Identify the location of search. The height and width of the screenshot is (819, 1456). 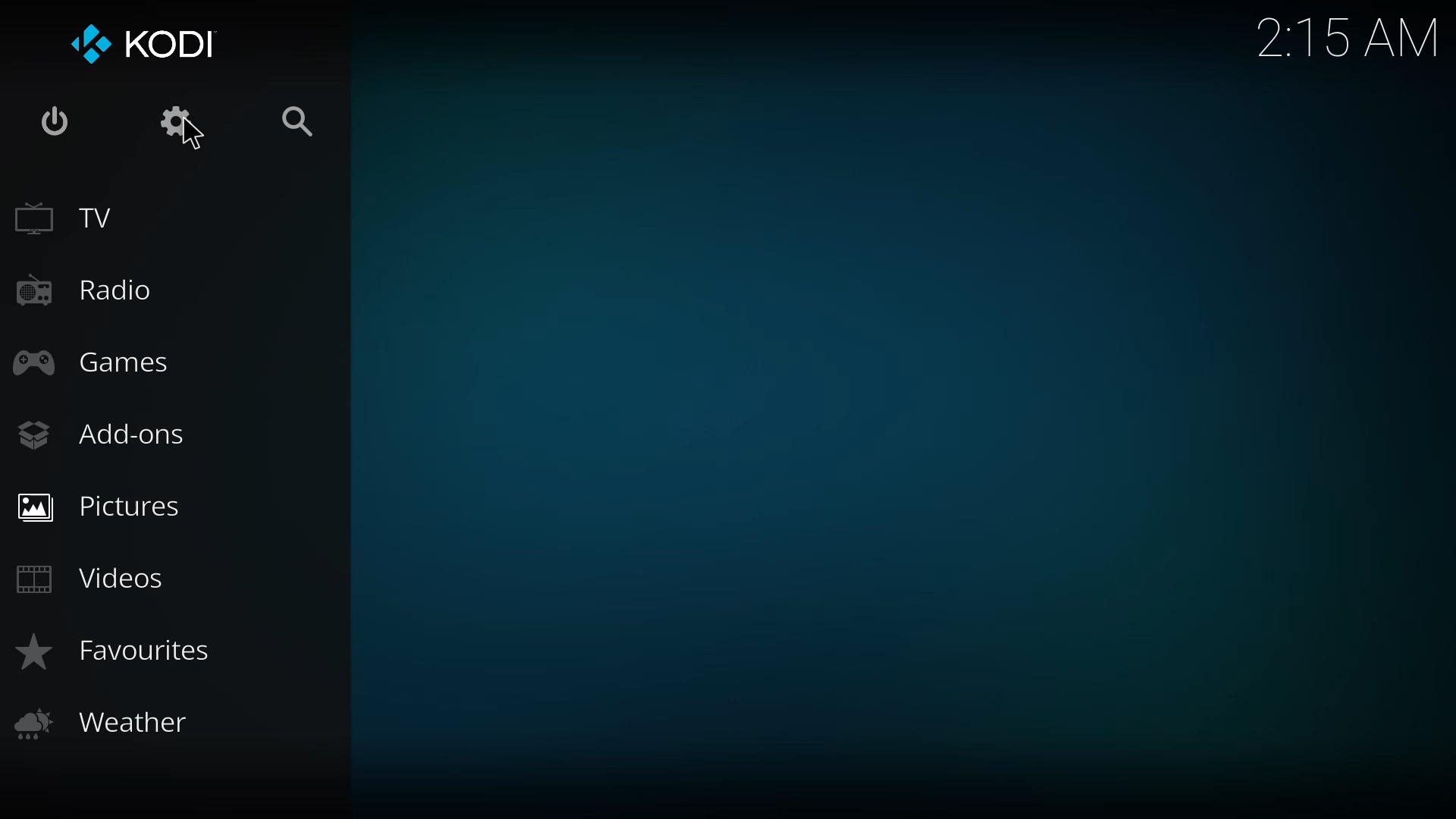
(297, 119).